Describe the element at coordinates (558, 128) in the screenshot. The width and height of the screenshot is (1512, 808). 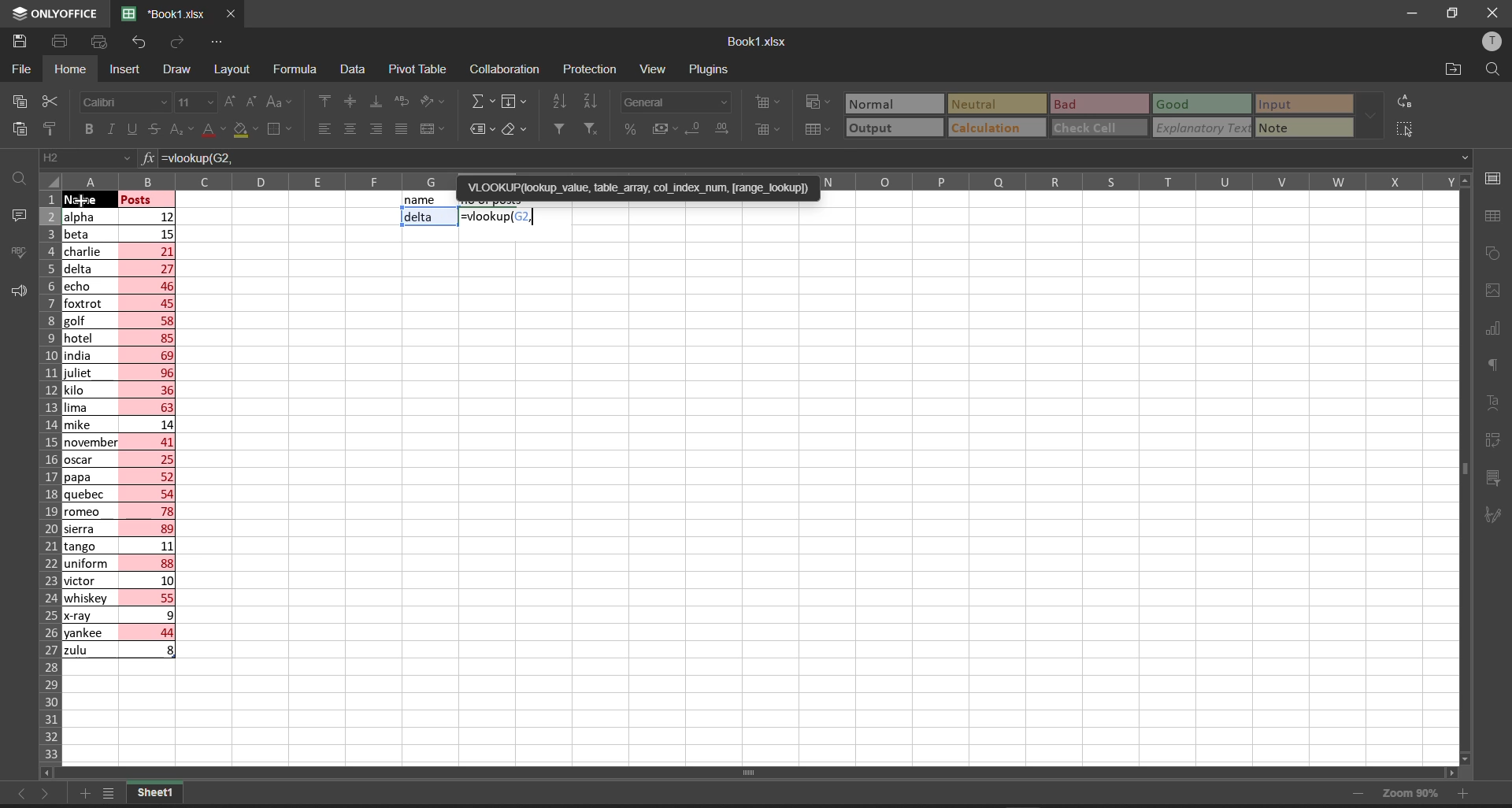
I see `filter` at that location.